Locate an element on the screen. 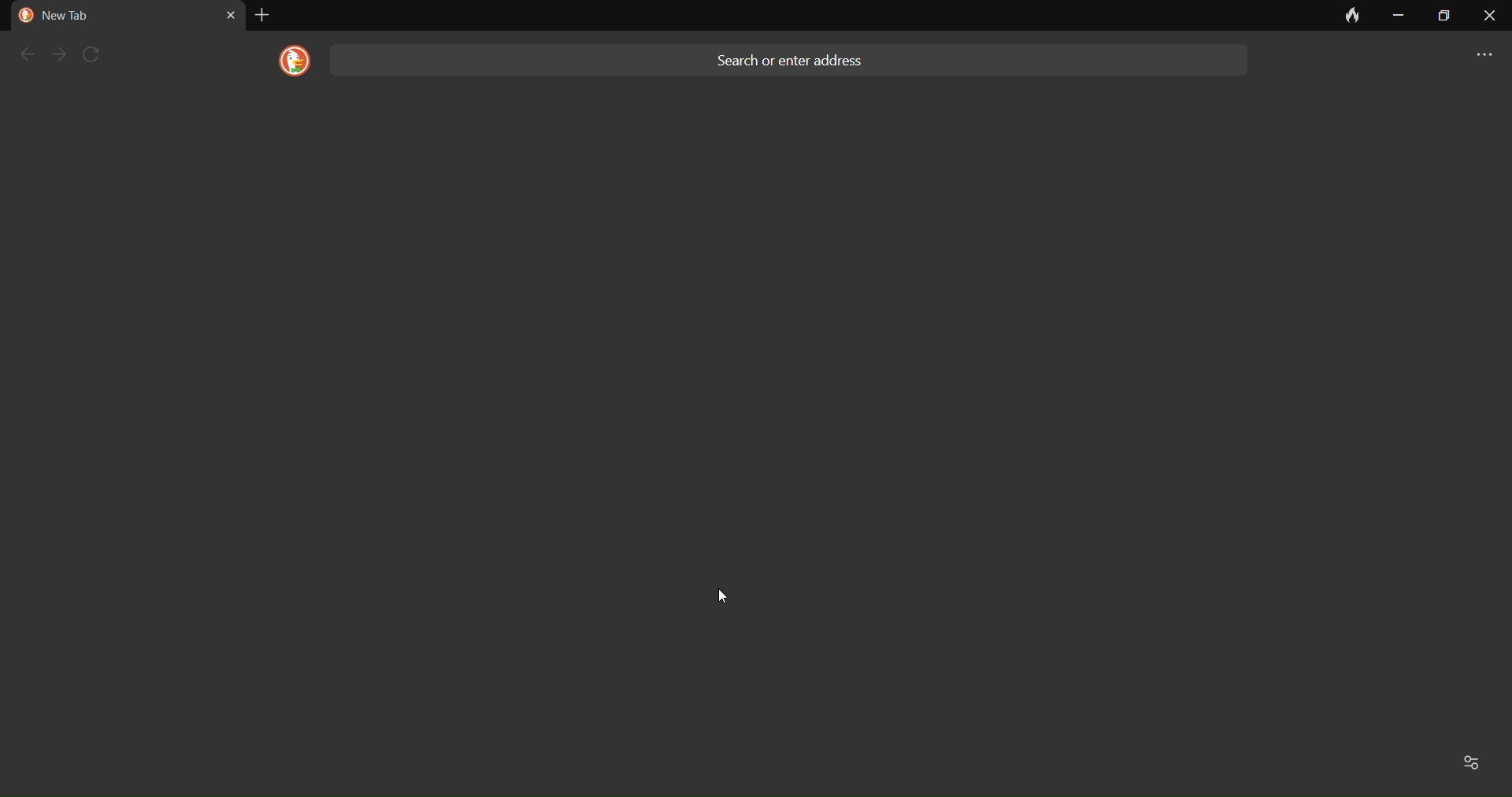  more is located at coordinates (1476, 57).